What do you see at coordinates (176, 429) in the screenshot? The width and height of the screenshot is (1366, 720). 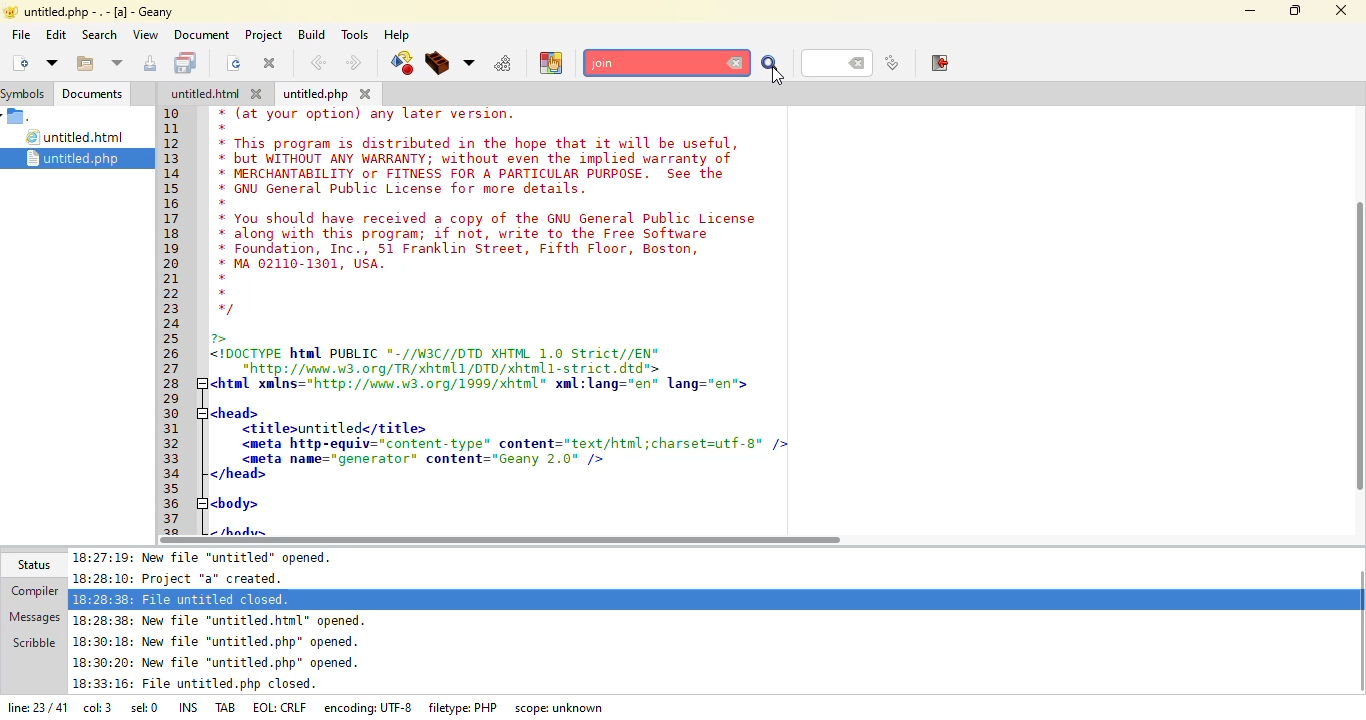 I see `31` at bounding box center [176, 429].